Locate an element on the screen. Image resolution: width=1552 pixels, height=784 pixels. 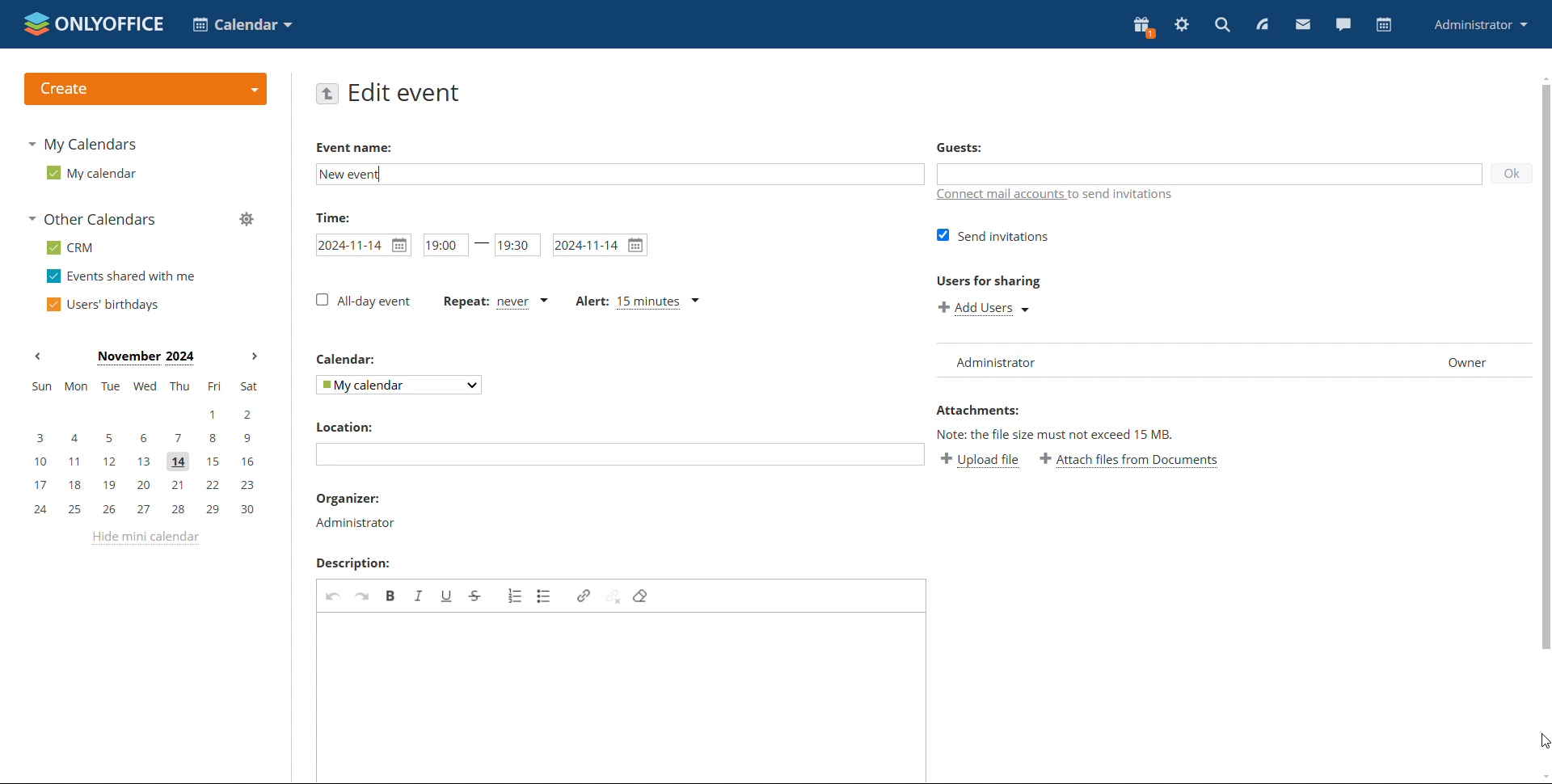
my calendar is located at coordinates (92, 173).